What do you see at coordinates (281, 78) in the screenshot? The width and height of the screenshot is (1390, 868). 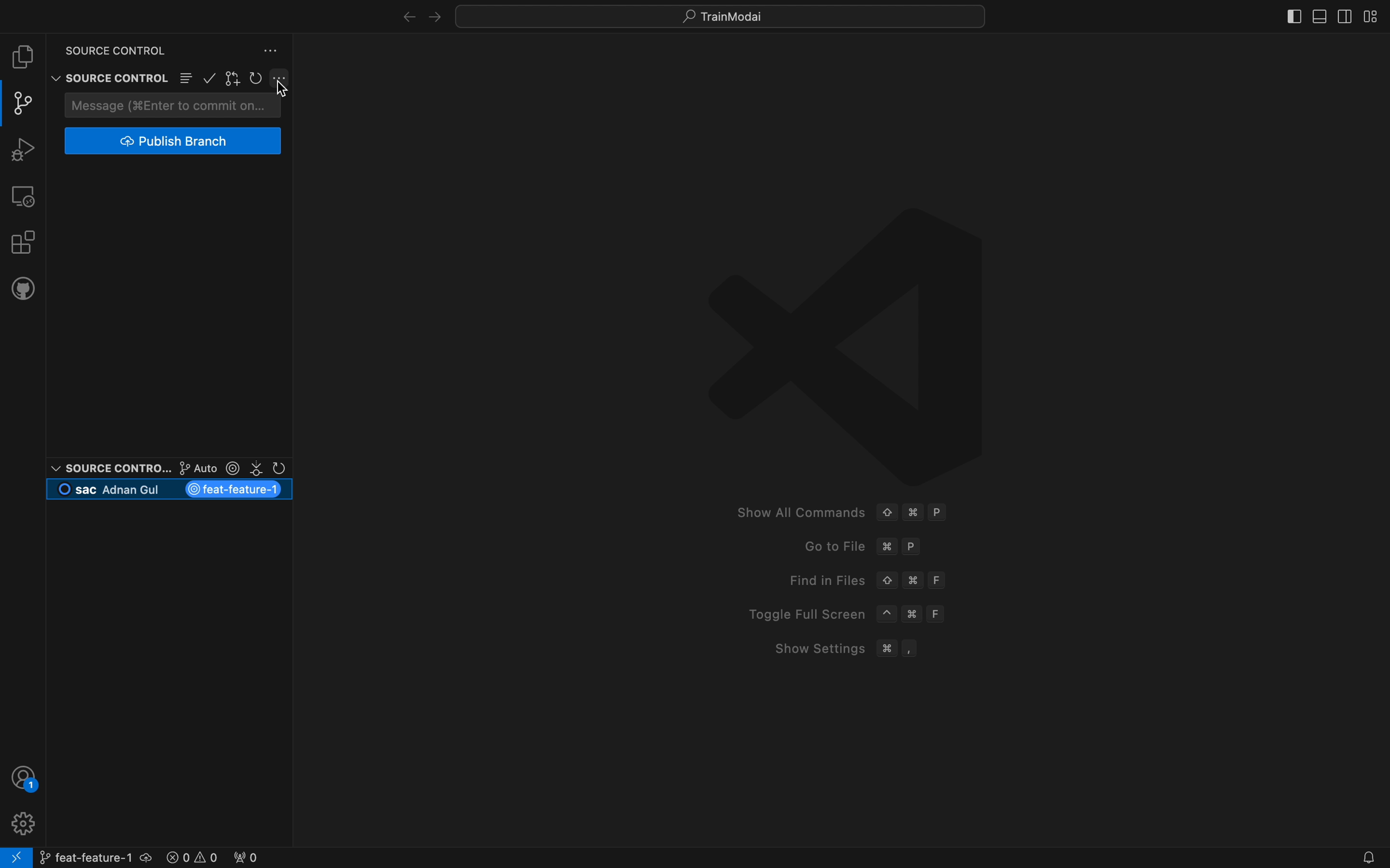 I see `git settings` at bounding box center [281, 78].